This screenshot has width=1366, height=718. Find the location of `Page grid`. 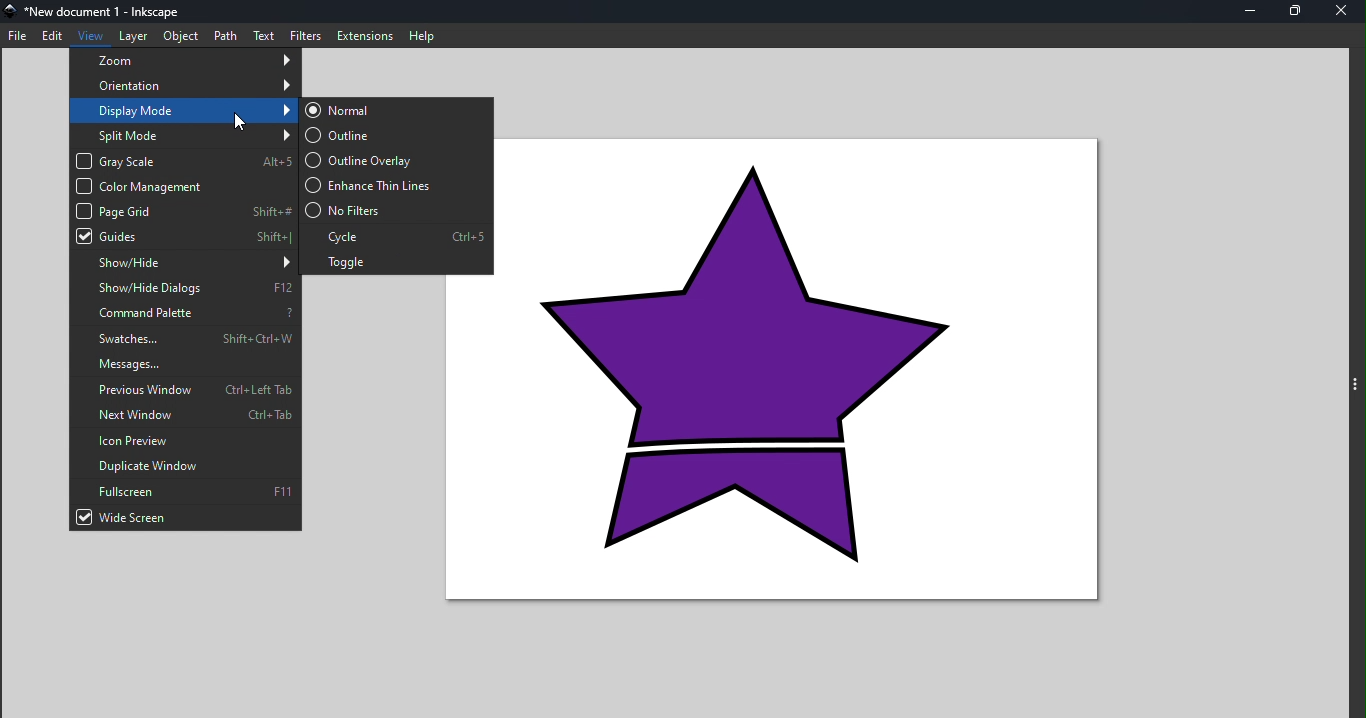

Page grid is located at coordinates (187, 212).